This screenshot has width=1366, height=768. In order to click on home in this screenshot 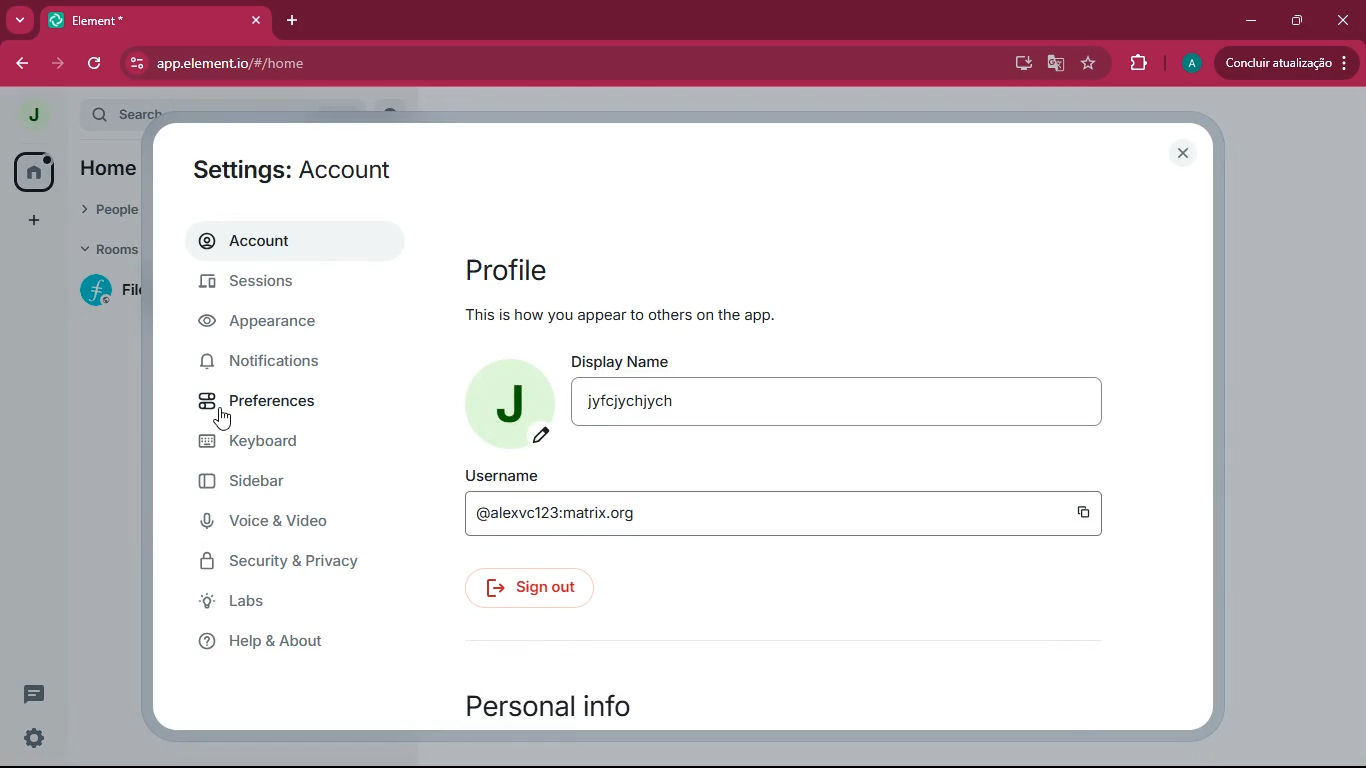, I will do `click(34, 170)`.